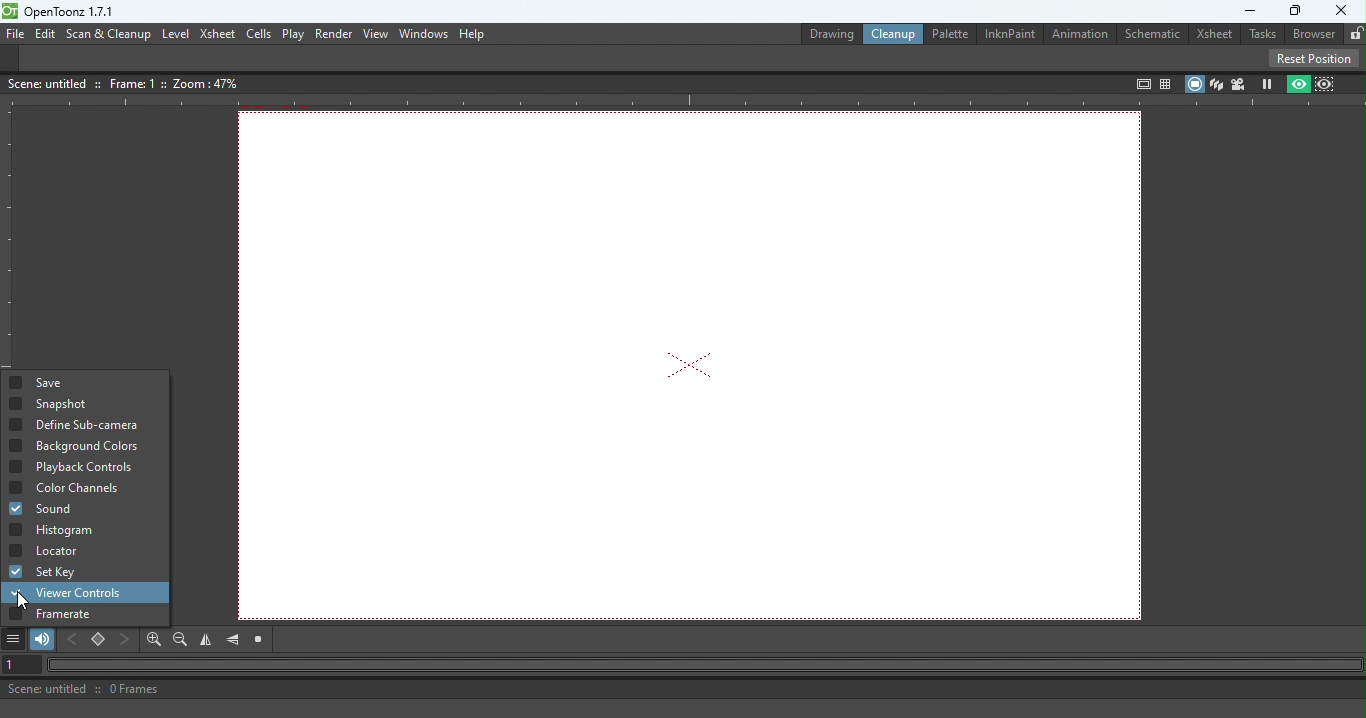 The width and height of the screenshot is (1366, 718). I want to click on 3D View, so click(1216, 81).